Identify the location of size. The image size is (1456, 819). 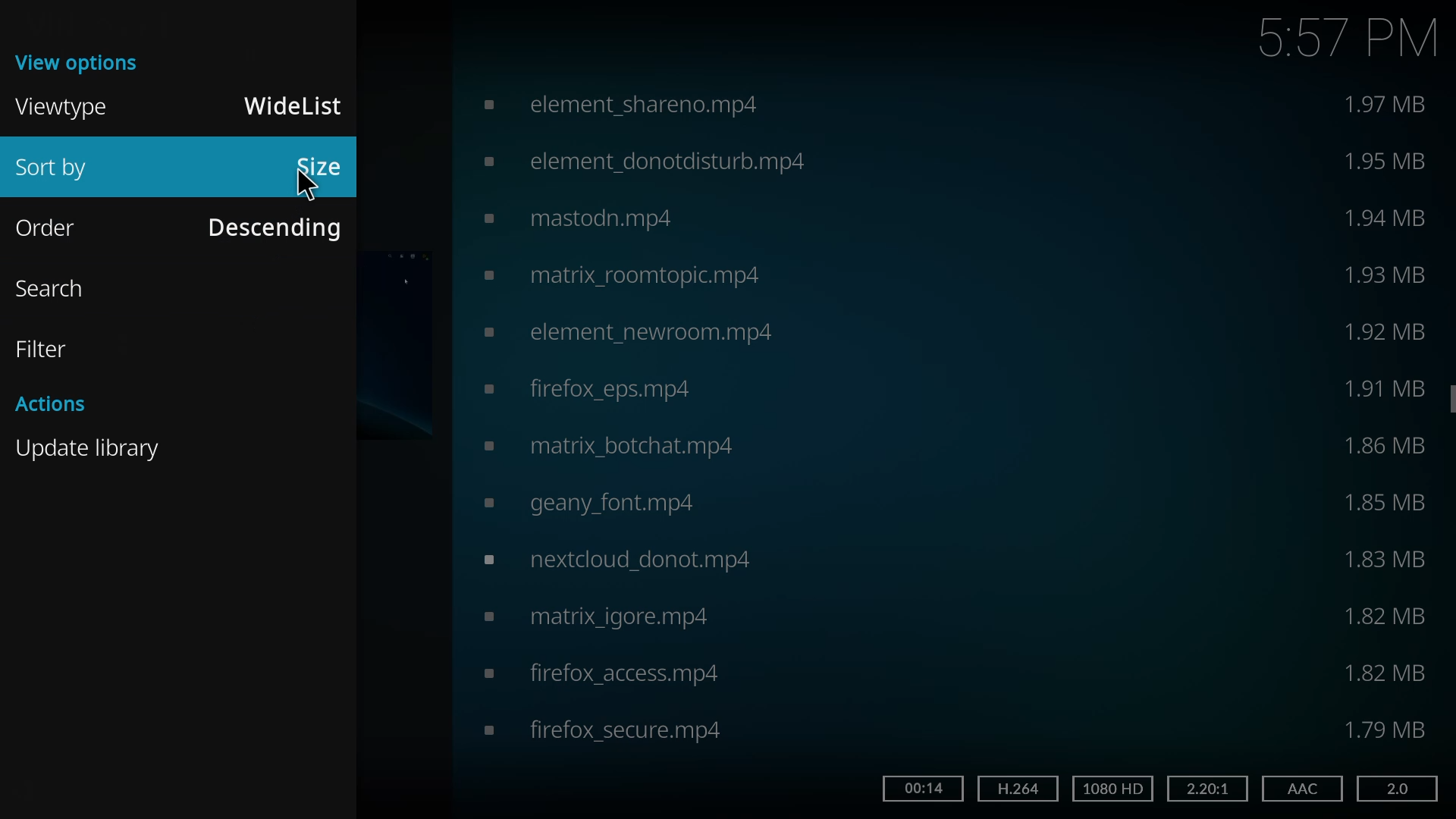
(1384, 618).